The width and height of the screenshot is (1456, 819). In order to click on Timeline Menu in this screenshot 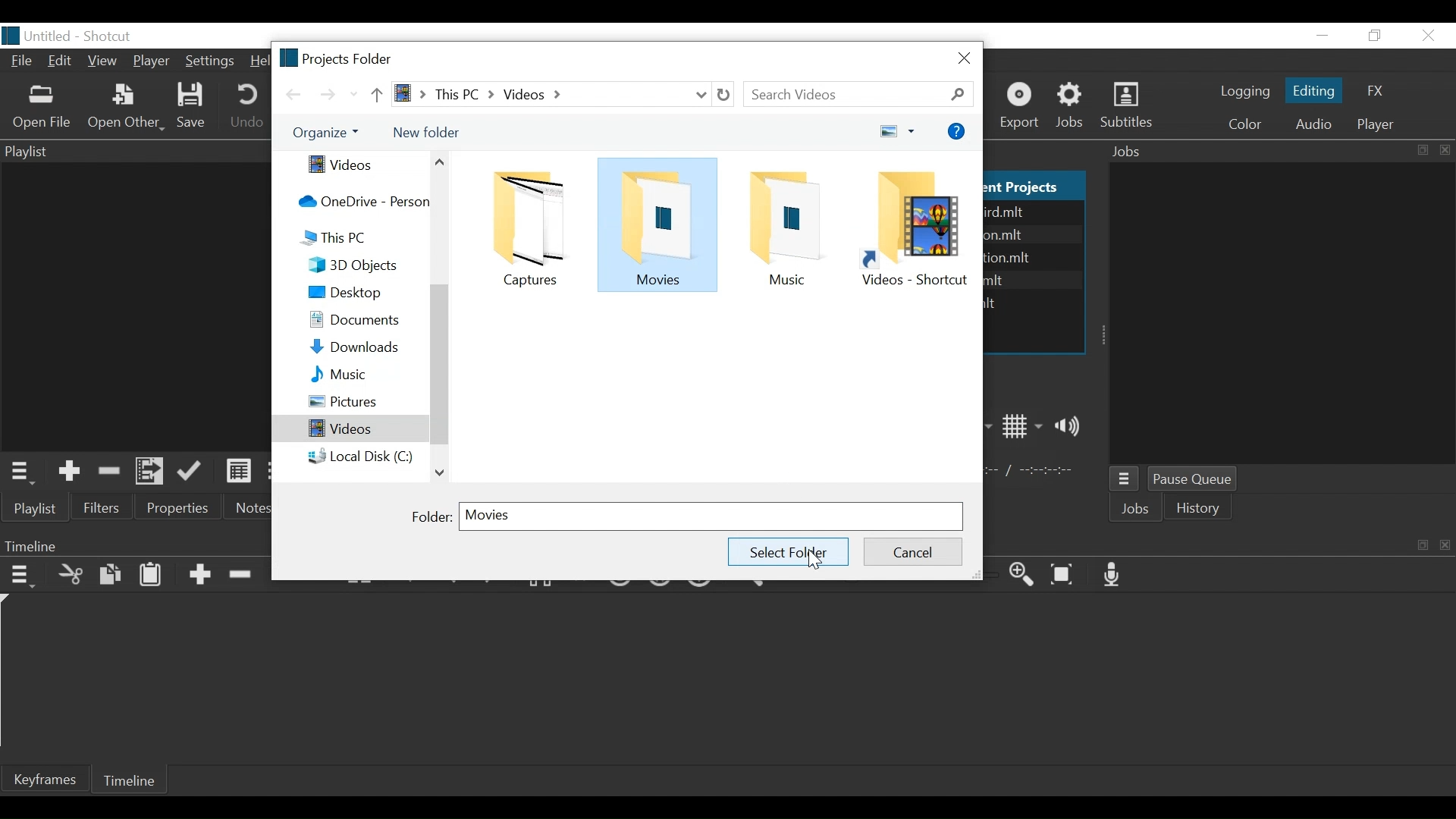, I will do `click(22, 574)`.